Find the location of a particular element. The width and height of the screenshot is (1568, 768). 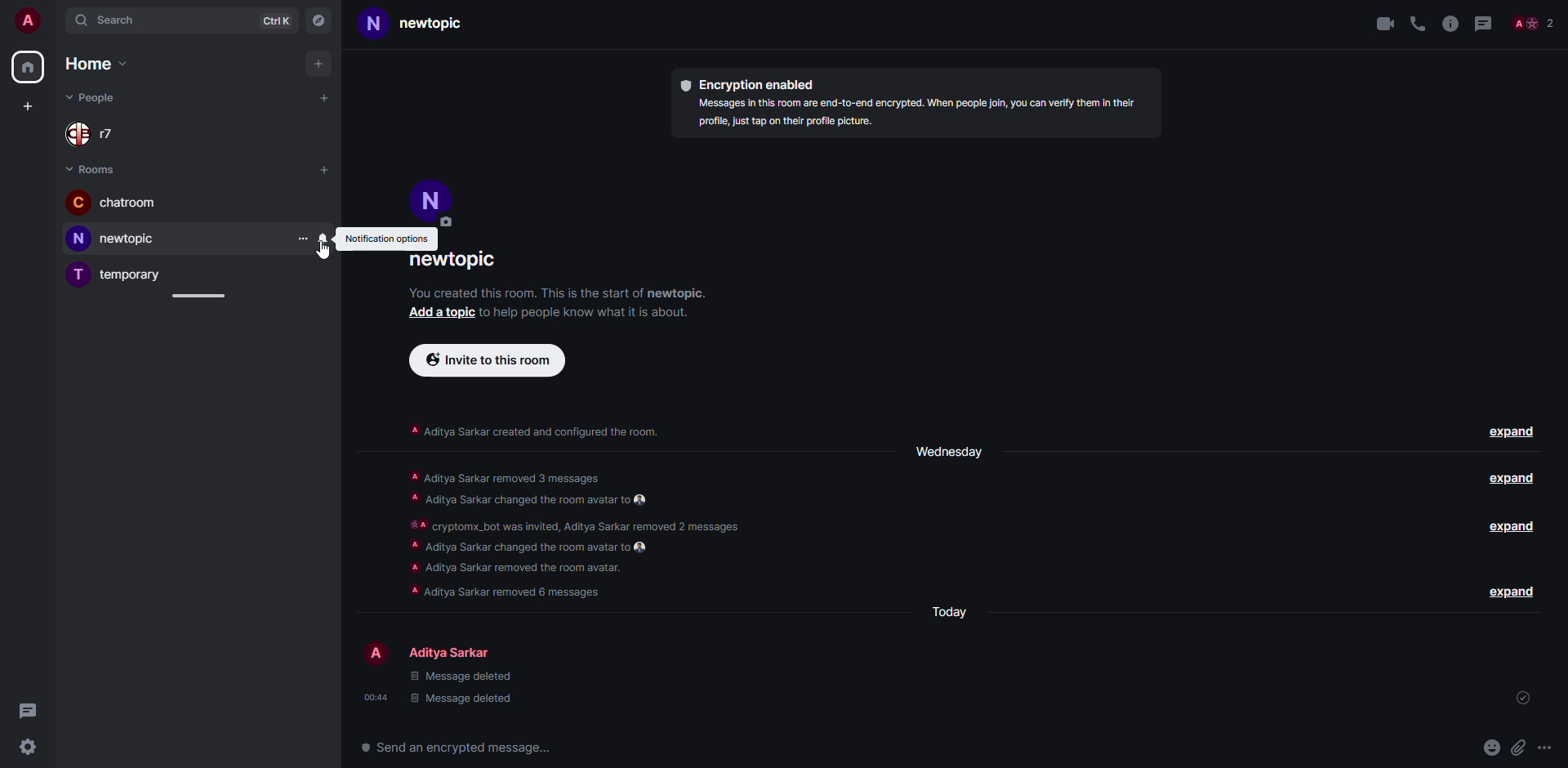

video is located at coordinates (1382, 25).